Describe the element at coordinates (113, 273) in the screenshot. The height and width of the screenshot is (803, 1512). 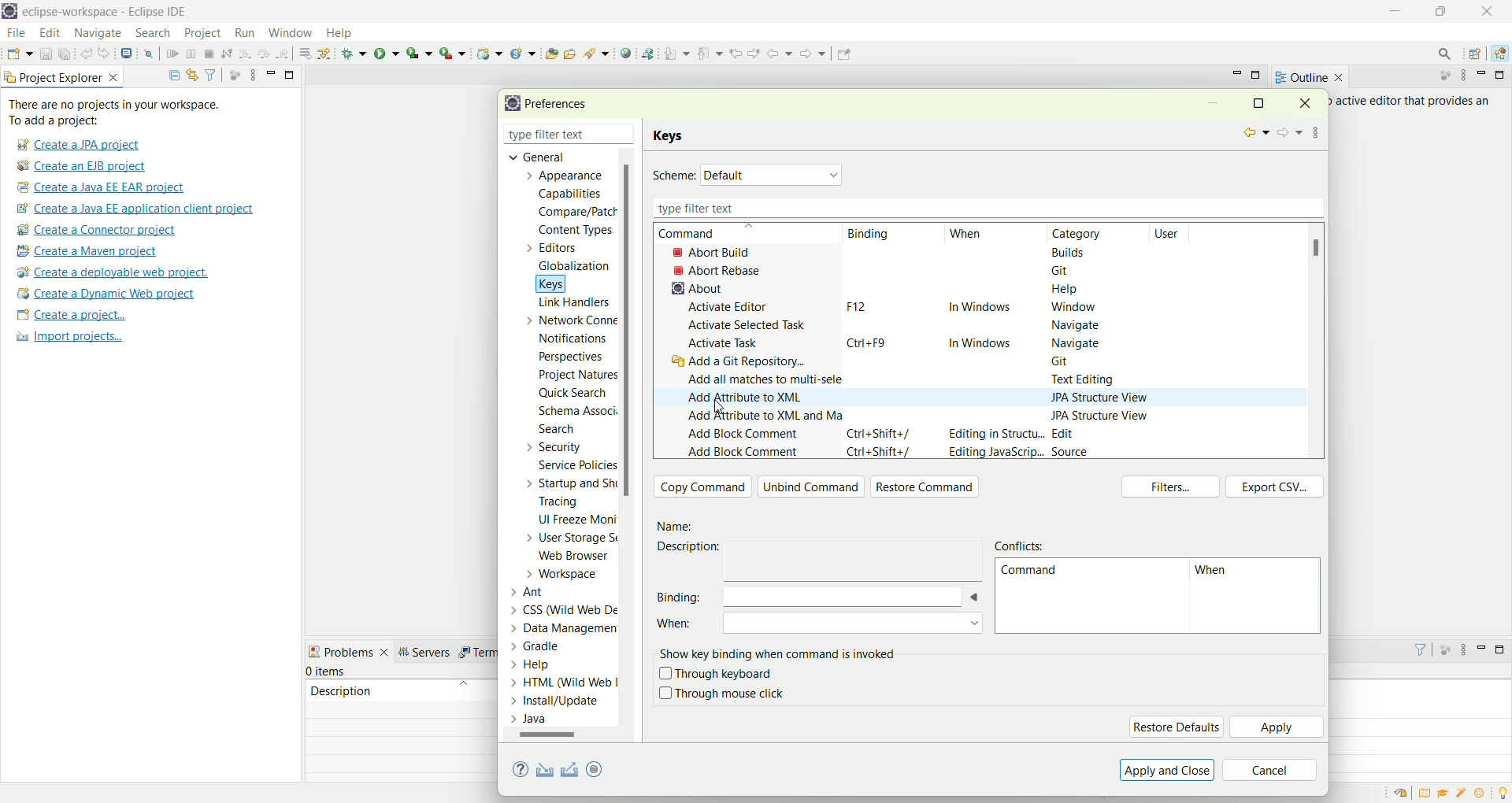
I see `create a deployable web project` at that location.